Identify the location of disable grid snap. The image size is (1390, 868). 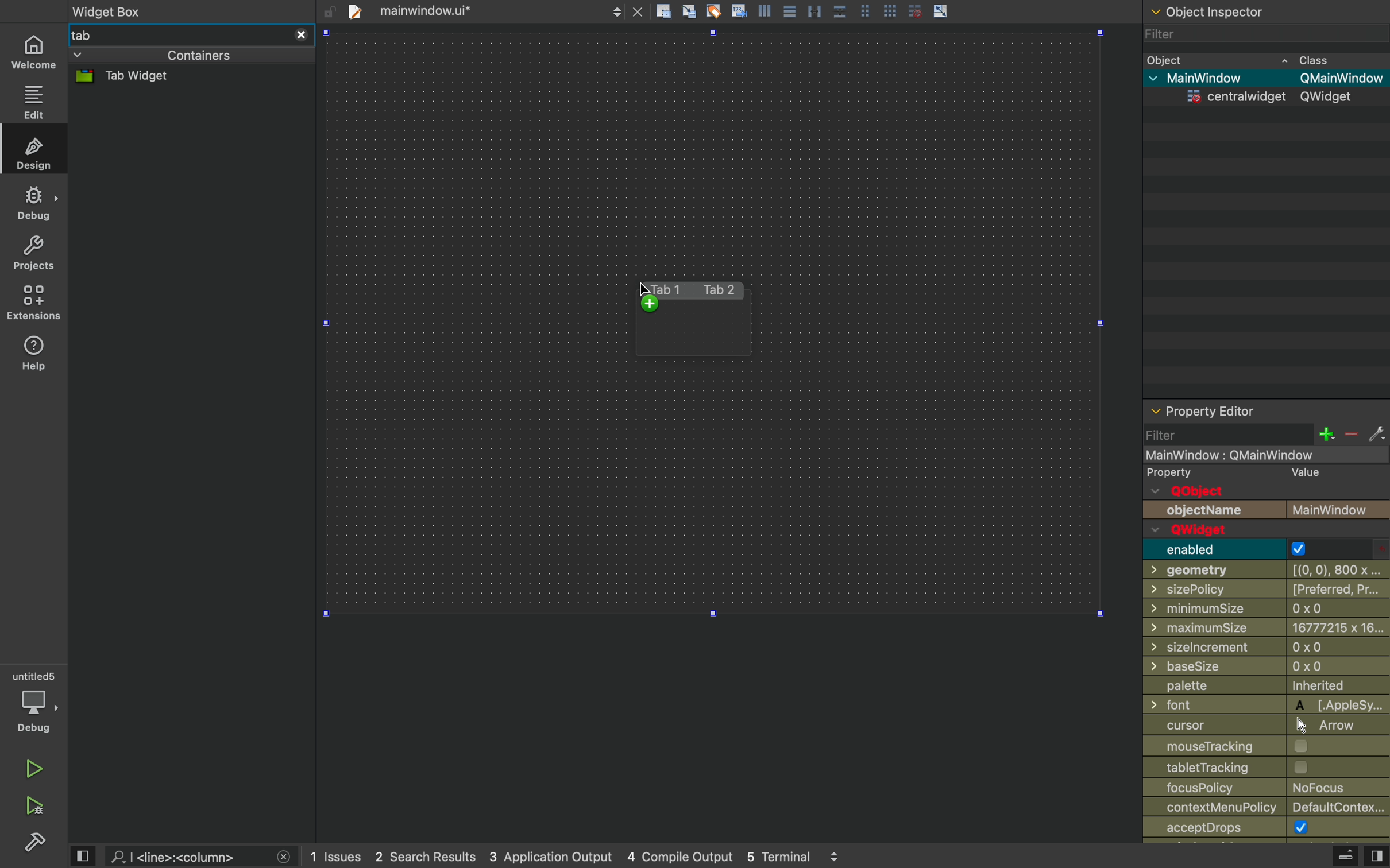
(915, 10).